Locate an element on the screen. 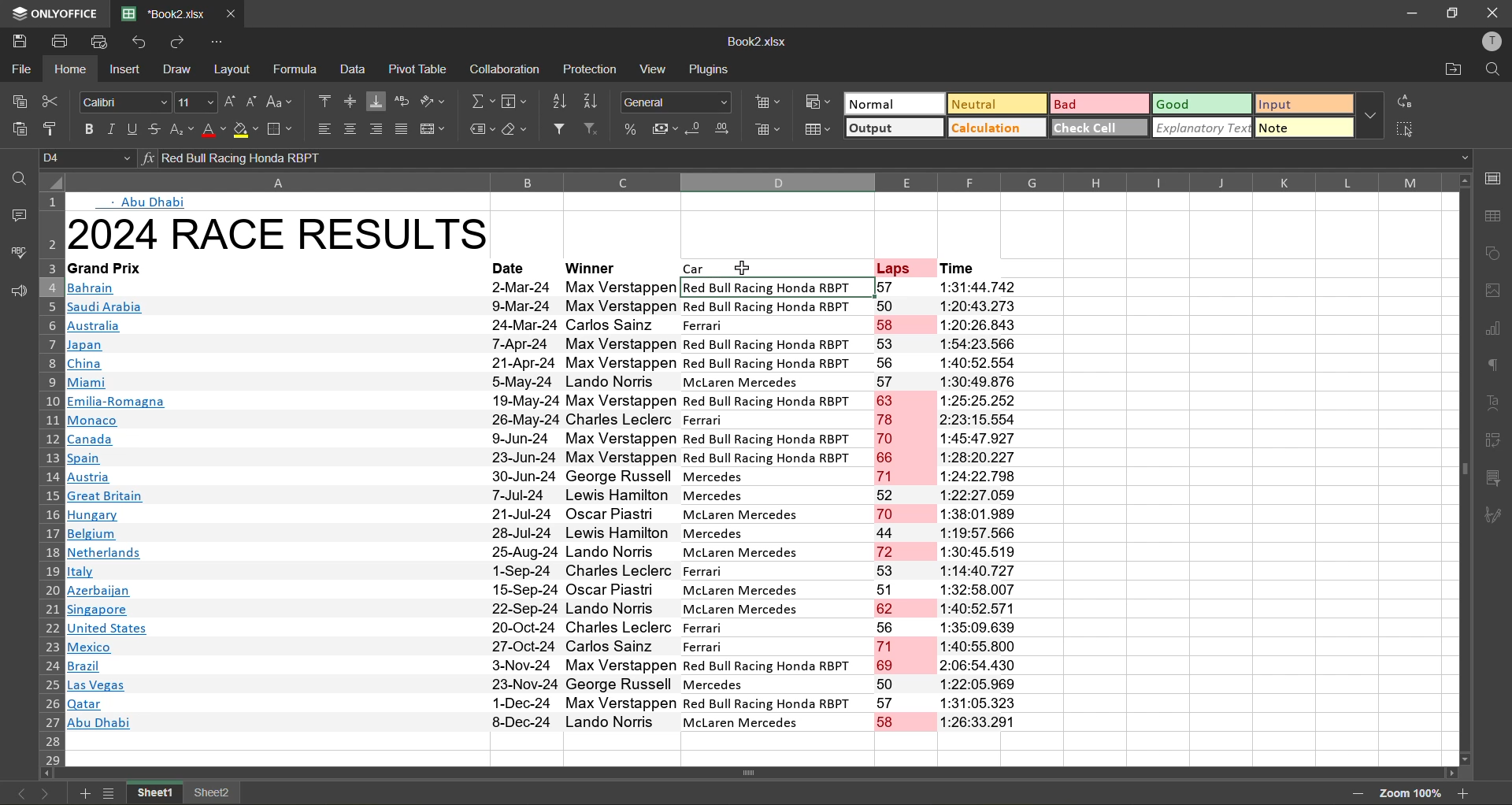 The image size is (1512, 805). charts is located at coordinates (1496, 331).